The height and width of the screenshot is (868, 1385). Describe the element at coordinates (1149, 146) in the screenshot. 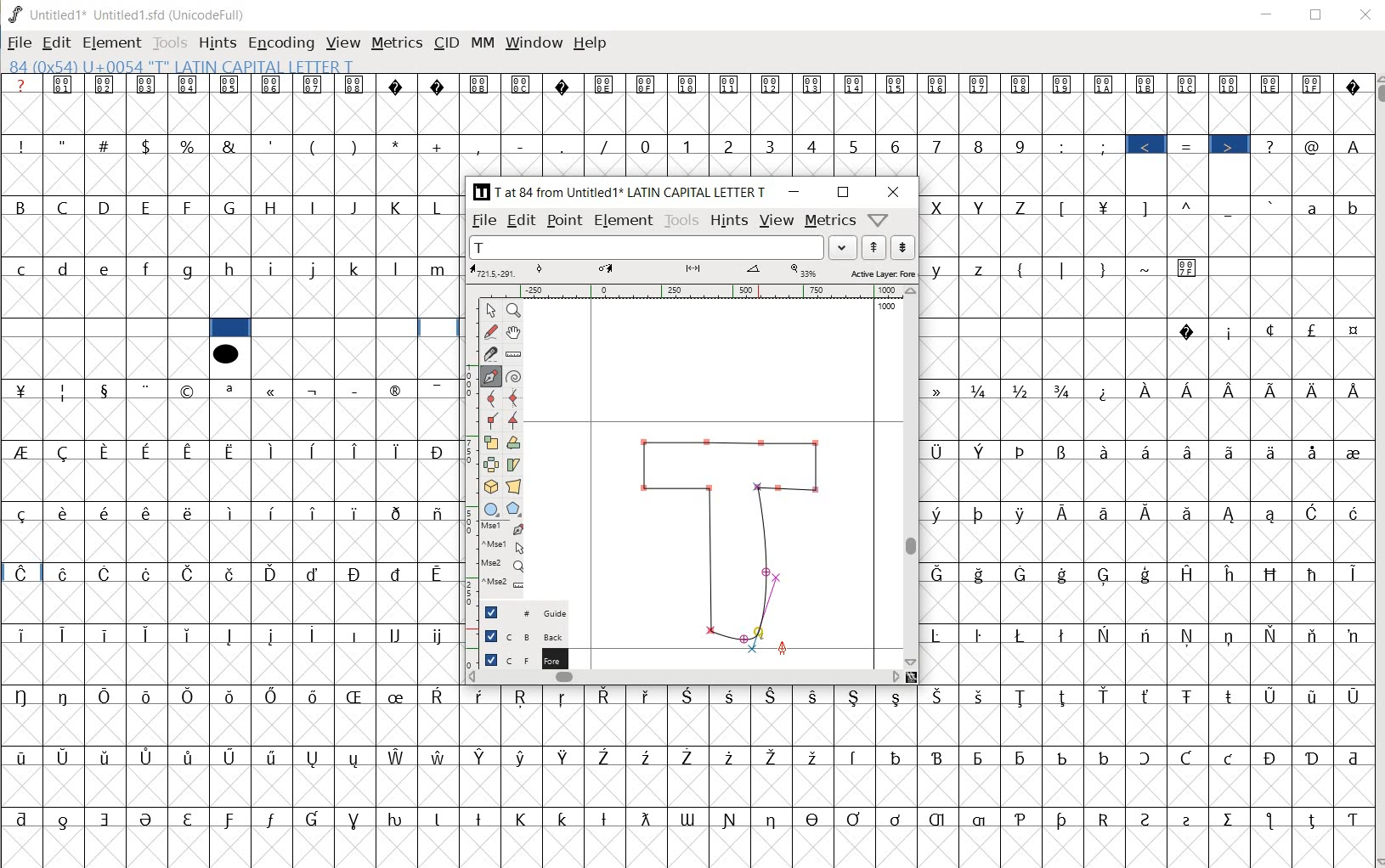

I see `<` at that location.